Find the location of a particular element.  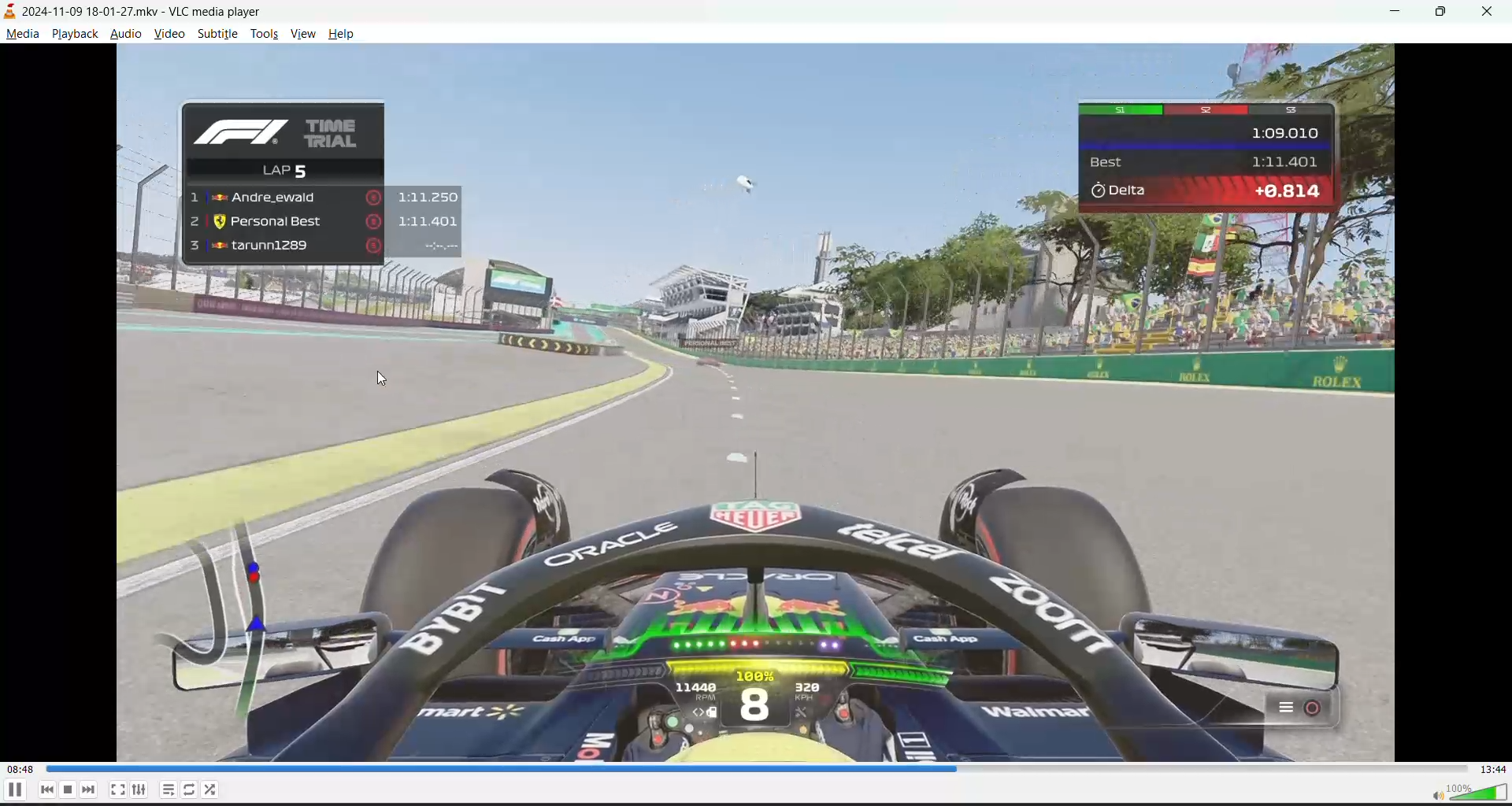

next is located at coordinates (87, 789).